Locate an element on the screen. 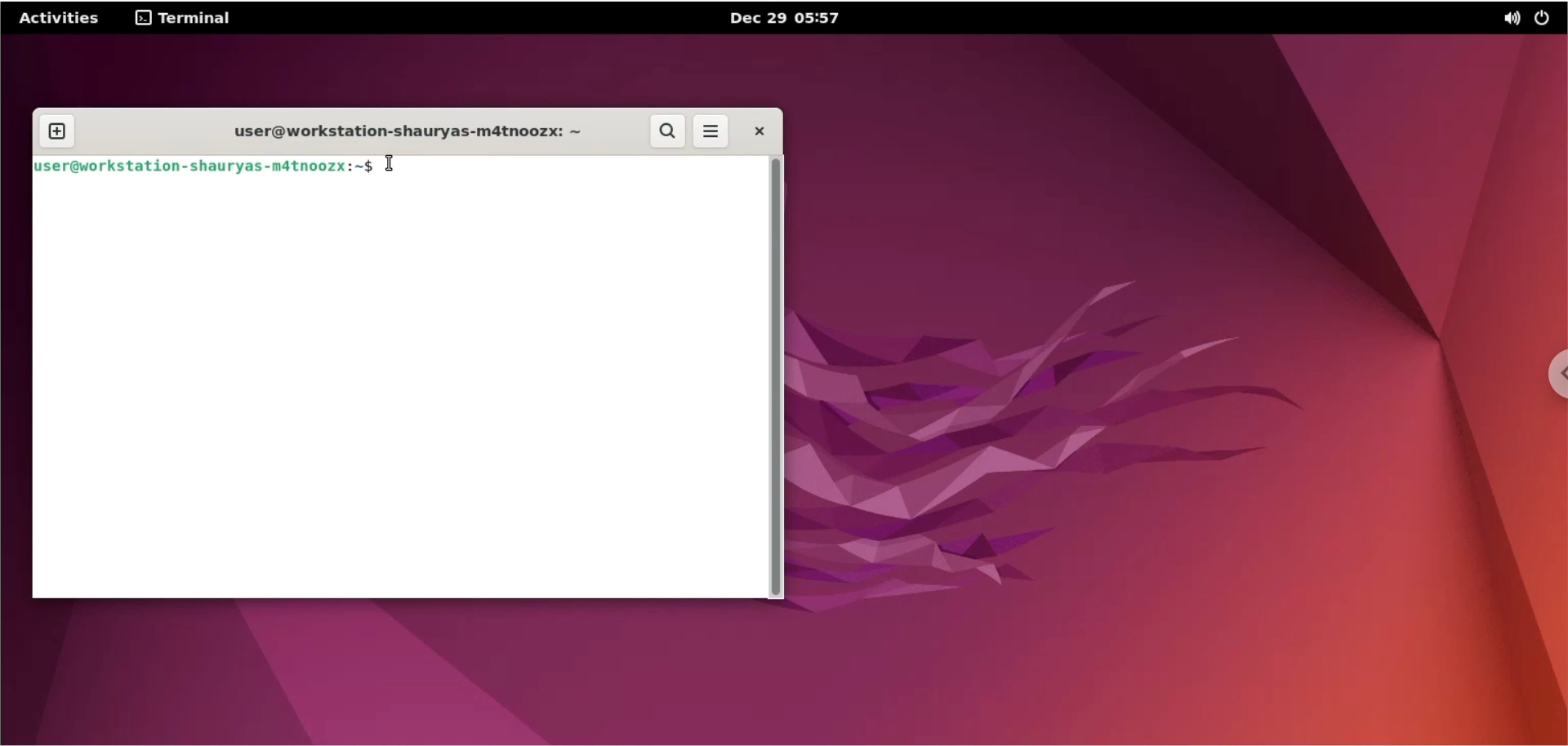 The image size is (1568, 746). Dec 29 05:57 is located at coordinates (791, 20).